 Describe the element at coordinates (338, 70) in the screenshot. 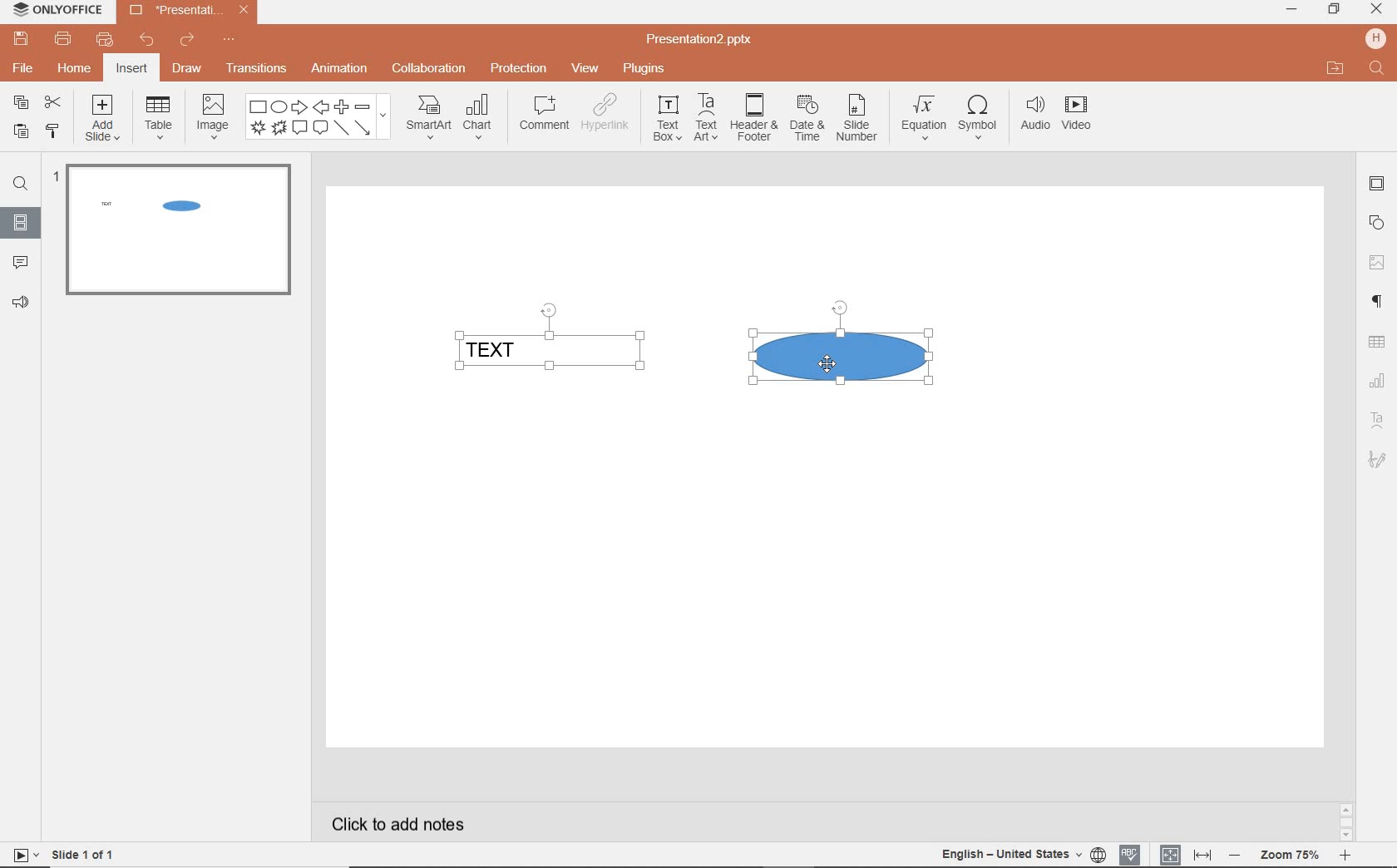

I see `animation` at that location.